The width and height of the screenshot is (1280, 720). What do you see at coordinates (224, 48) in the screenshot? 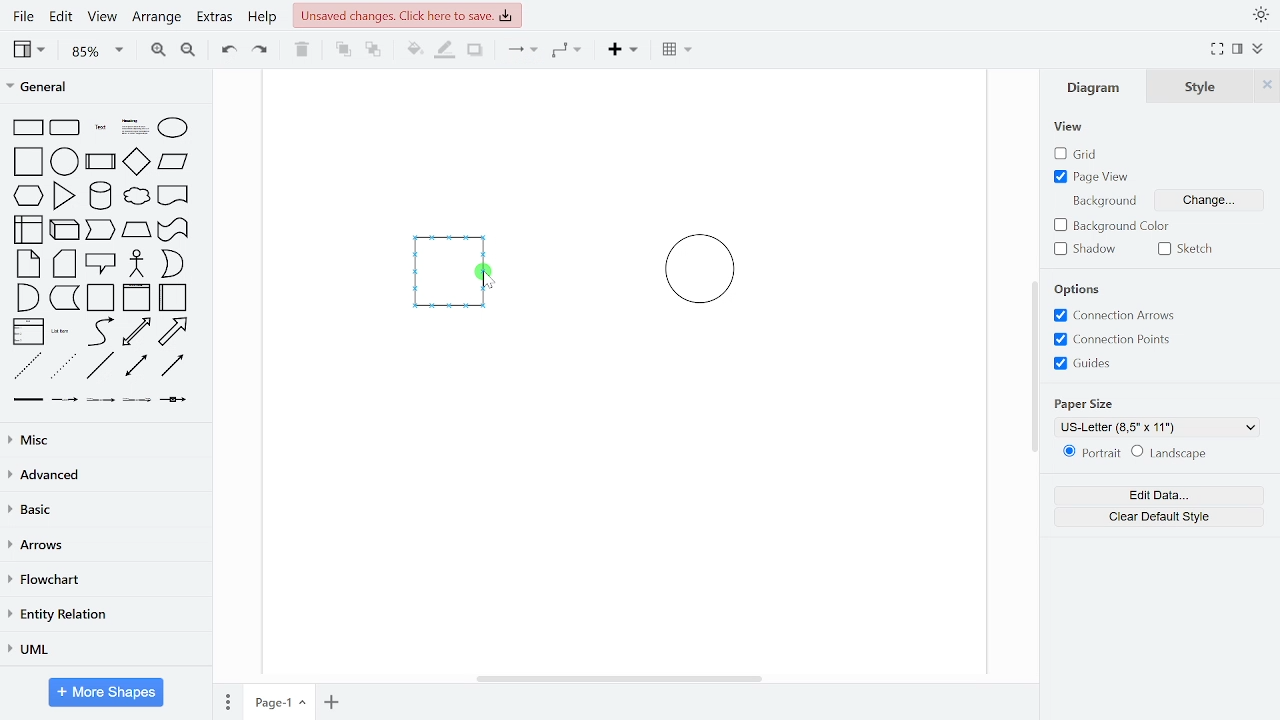
I see `undo` at bounding box center [224, 48].